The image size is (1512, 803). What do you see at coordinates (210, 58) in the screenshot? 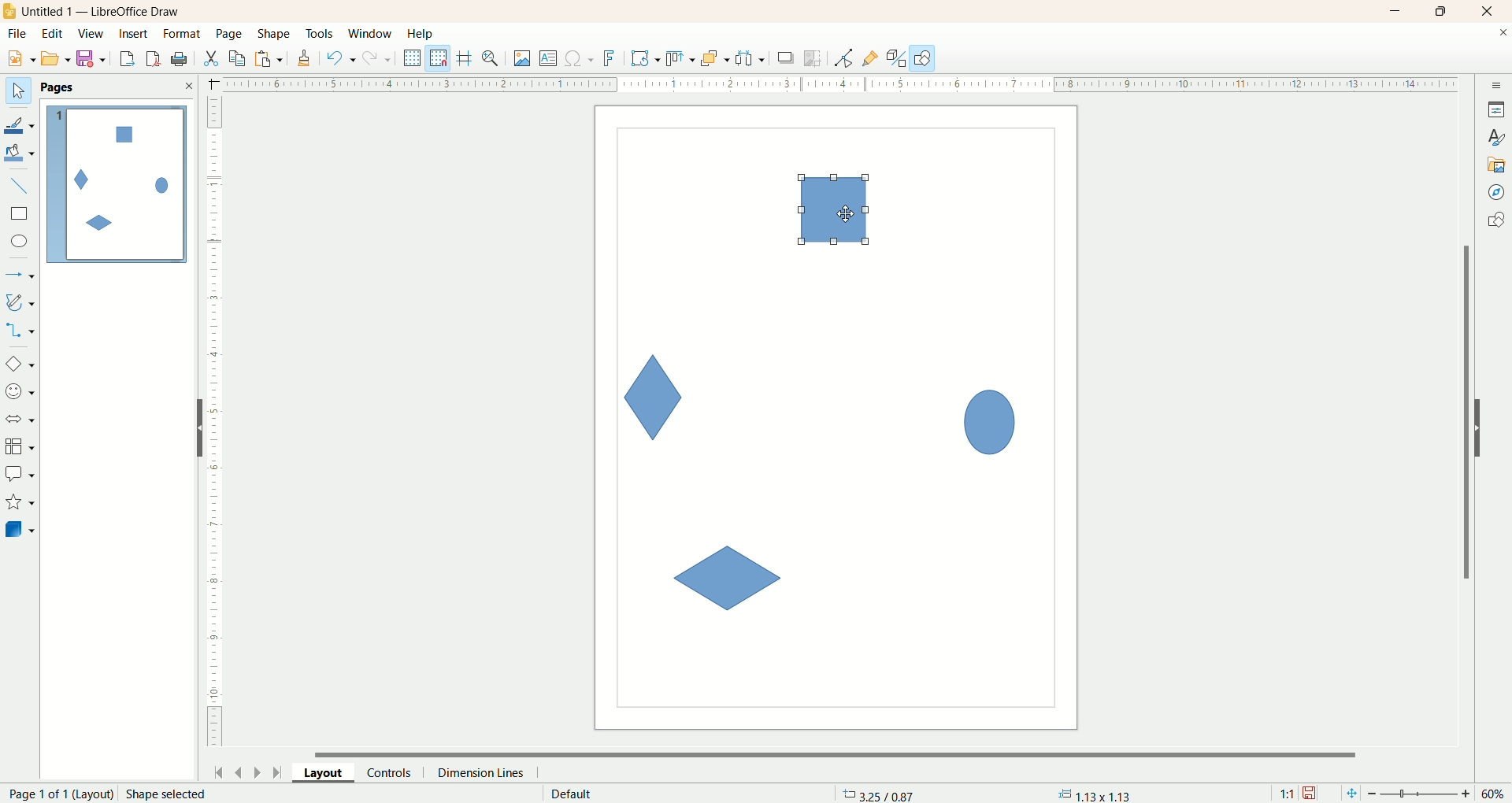
I see `cut` at bounding box center [210, 58].